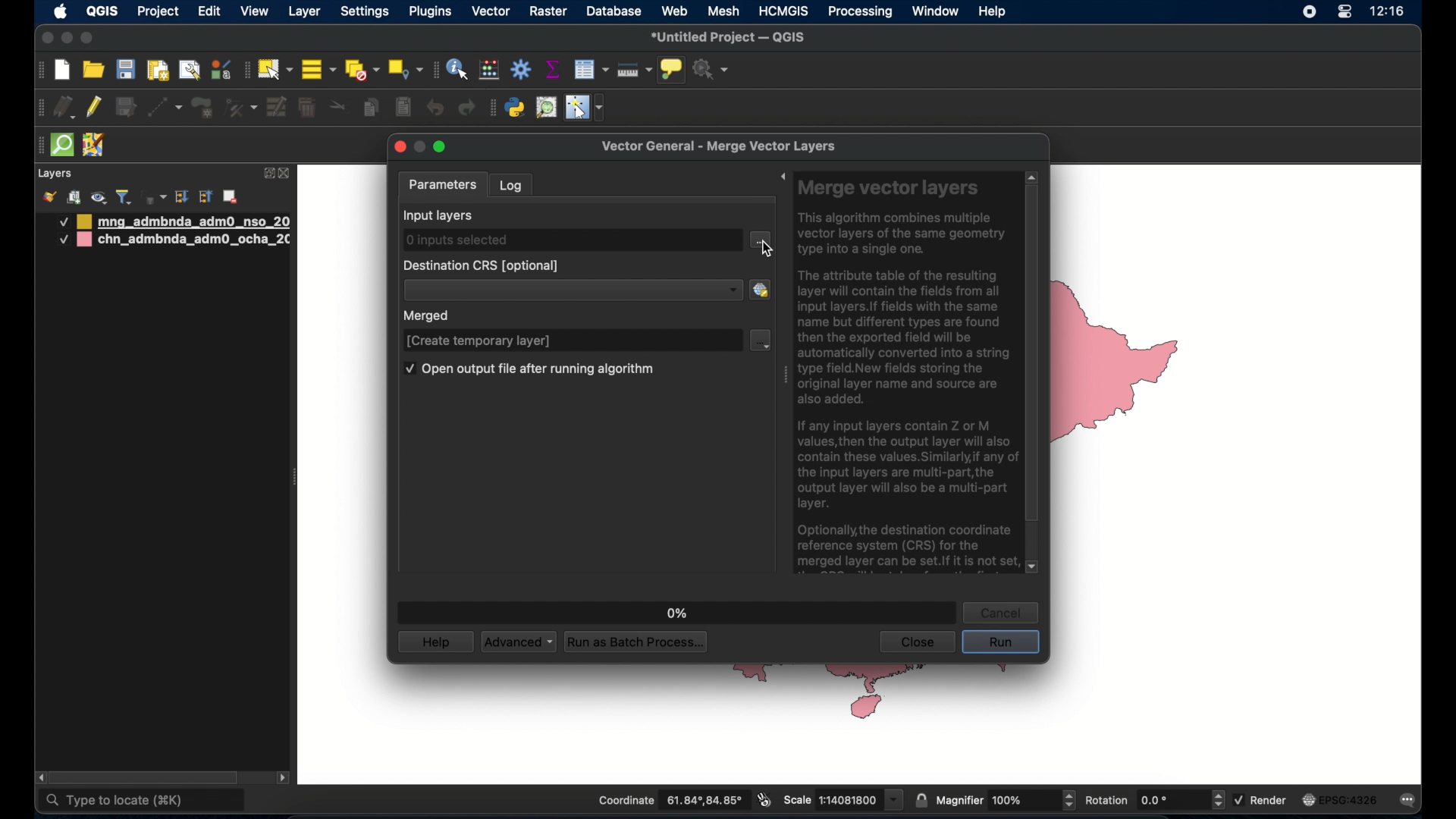 The image size is (1456, 819). I want to click on lock scale, so click(921, 799).